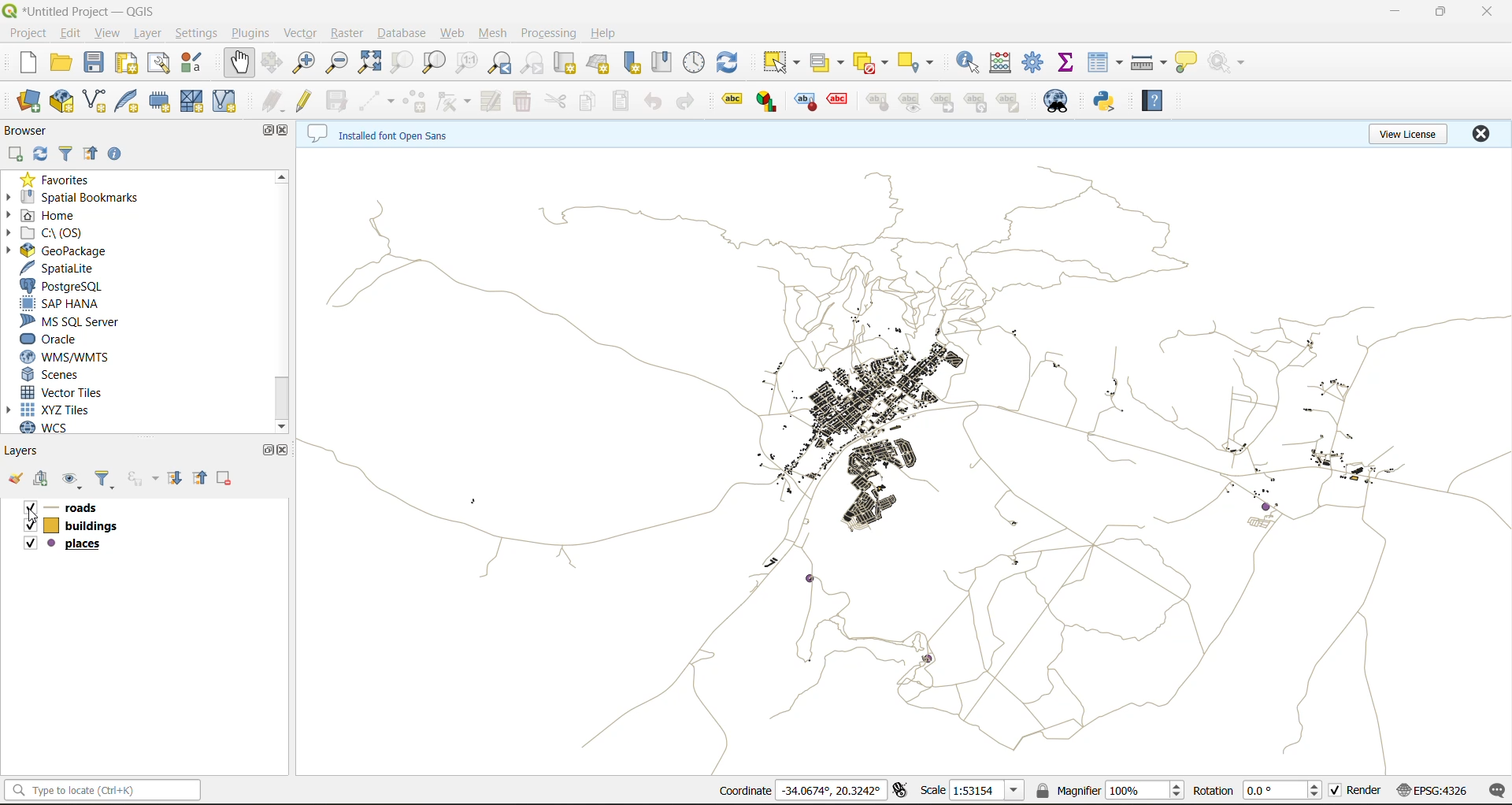  Describe the element at coordinates (828, 62) in the screenshot. I see `select value` at that location.